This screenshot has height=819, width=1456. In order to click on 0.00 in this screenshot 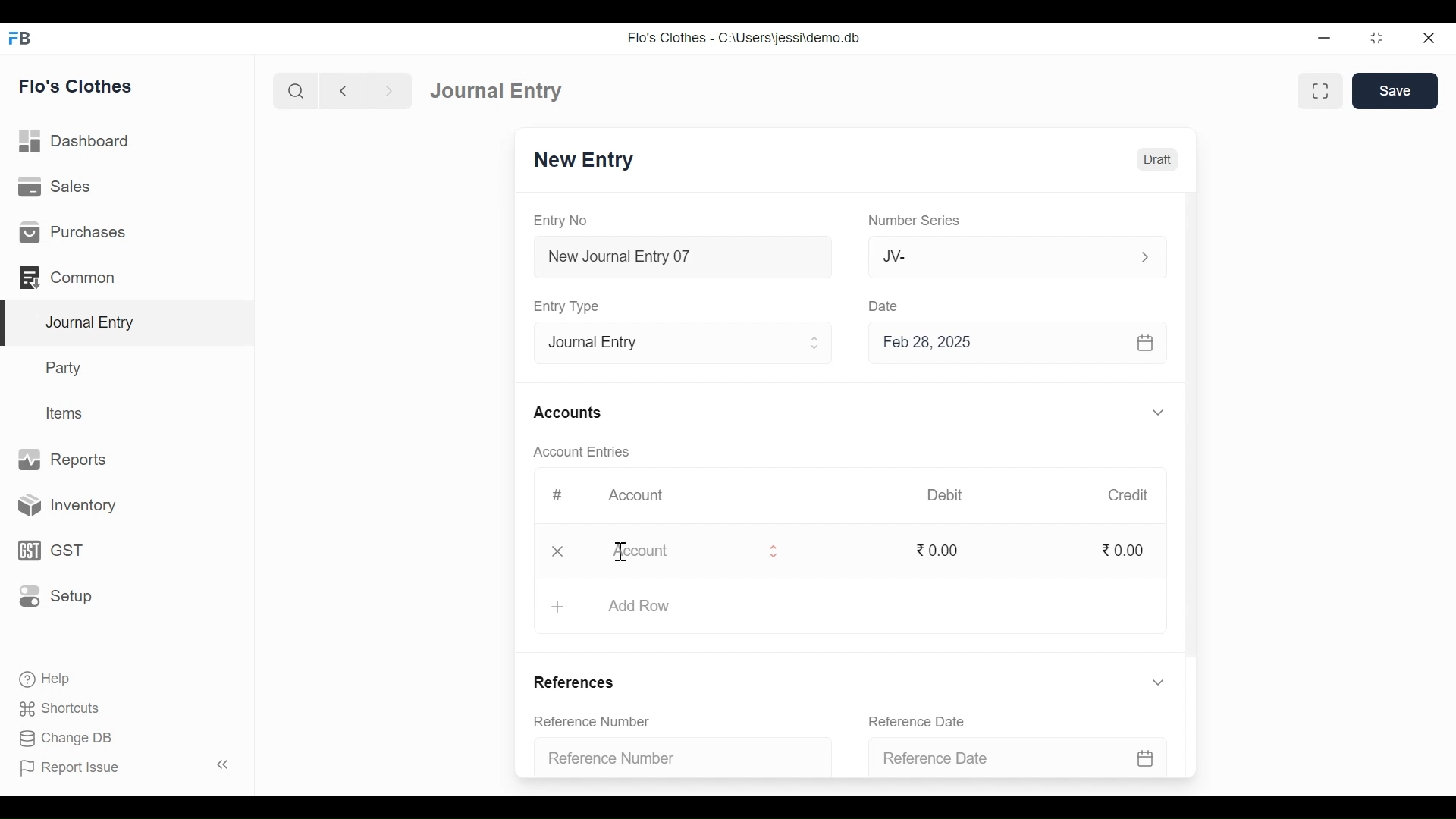, I will do `click(1126, 551)`.